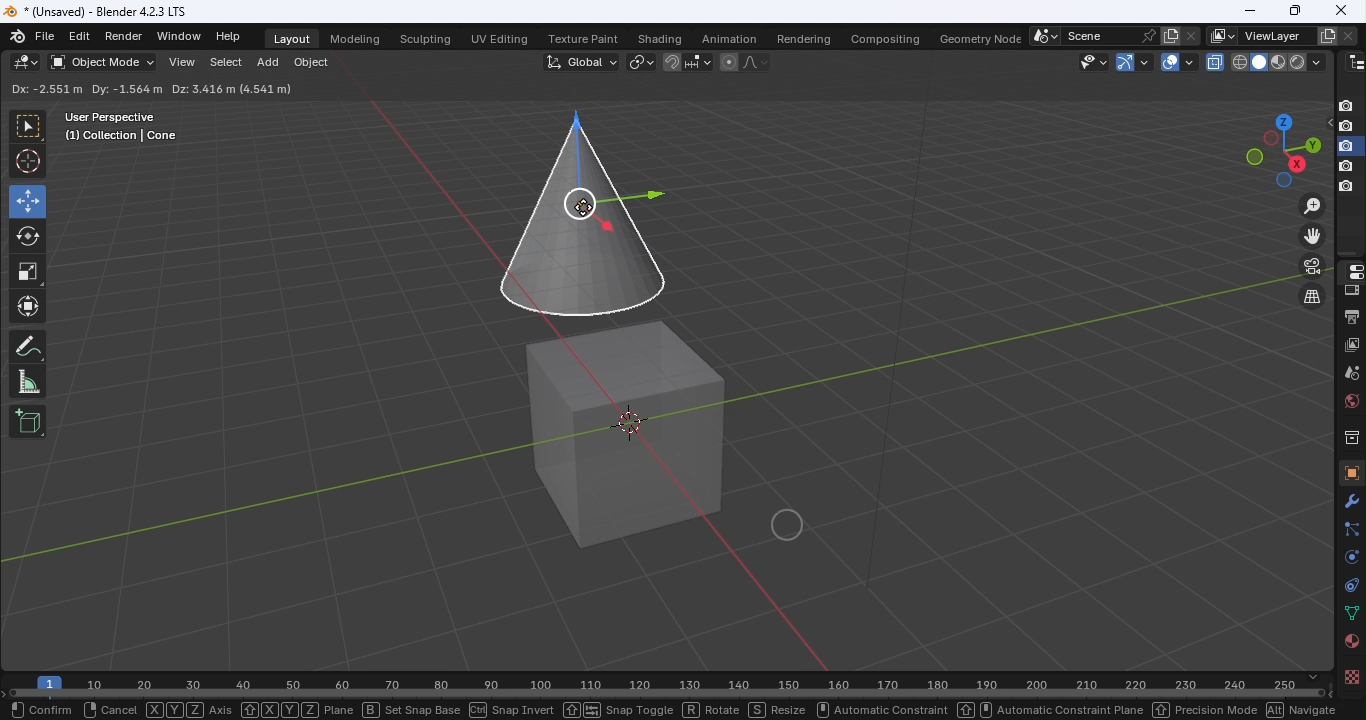  Describe the element at coordinates (27, 62) in the screenshot. I see `Editor type` at that location.